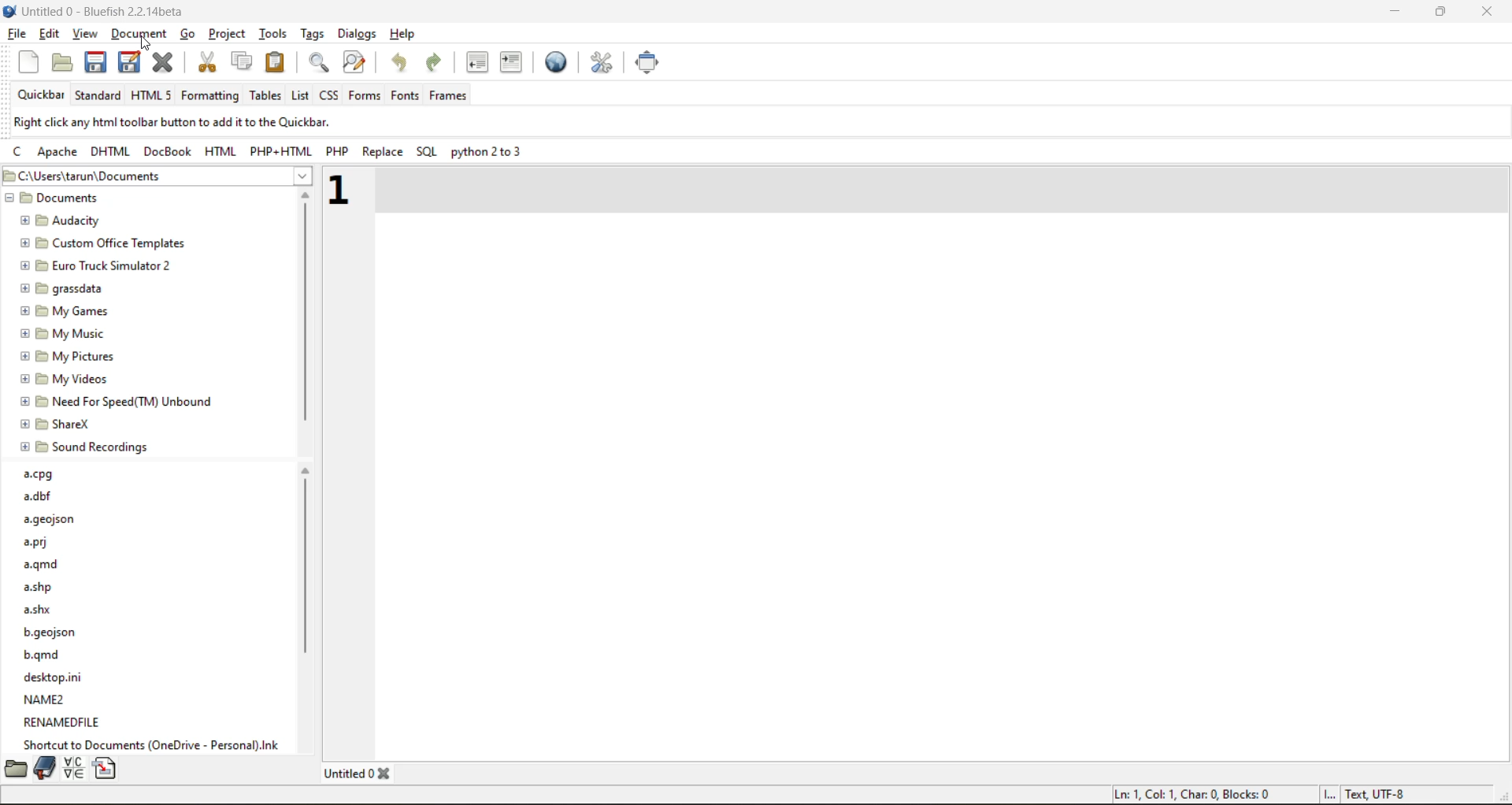  What do you see at coordinates (39, 608) in the screenshot?
I see `a.shx` at bounding box center [39, 608].